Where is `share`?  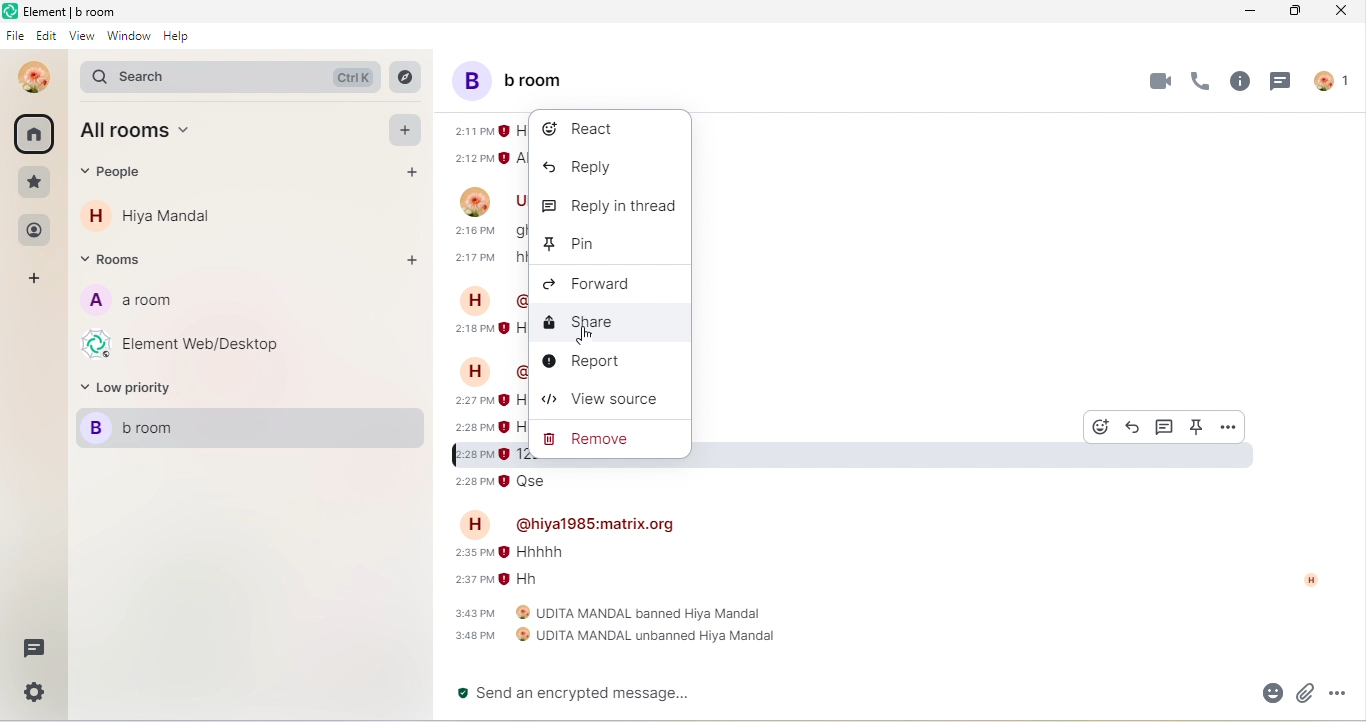 share is located at coordinates (596, 321).